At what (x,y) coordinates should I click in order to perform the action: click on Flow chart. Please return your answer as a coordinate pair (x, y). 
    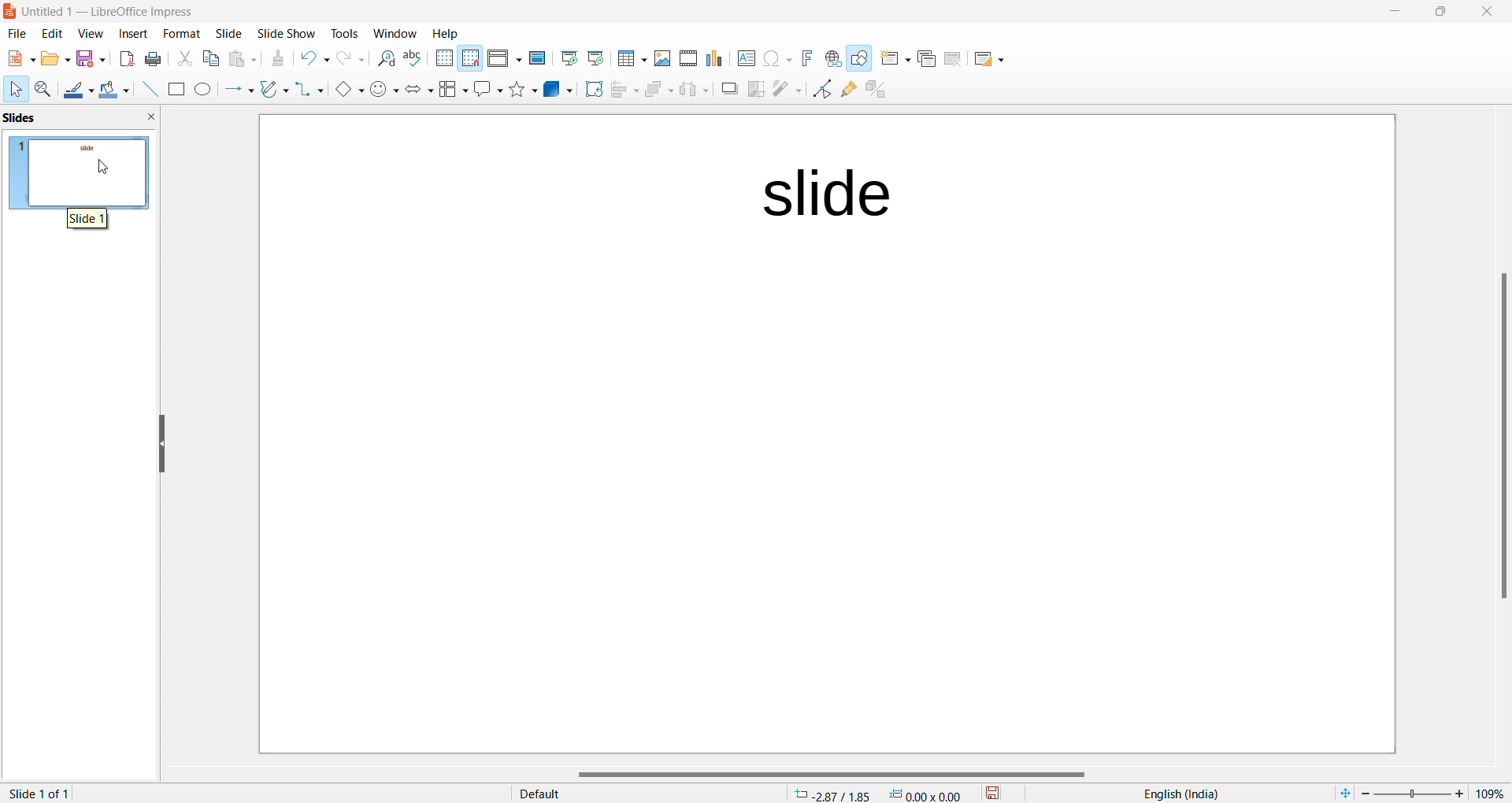
    Looking at the image, I should click on (451, 90).